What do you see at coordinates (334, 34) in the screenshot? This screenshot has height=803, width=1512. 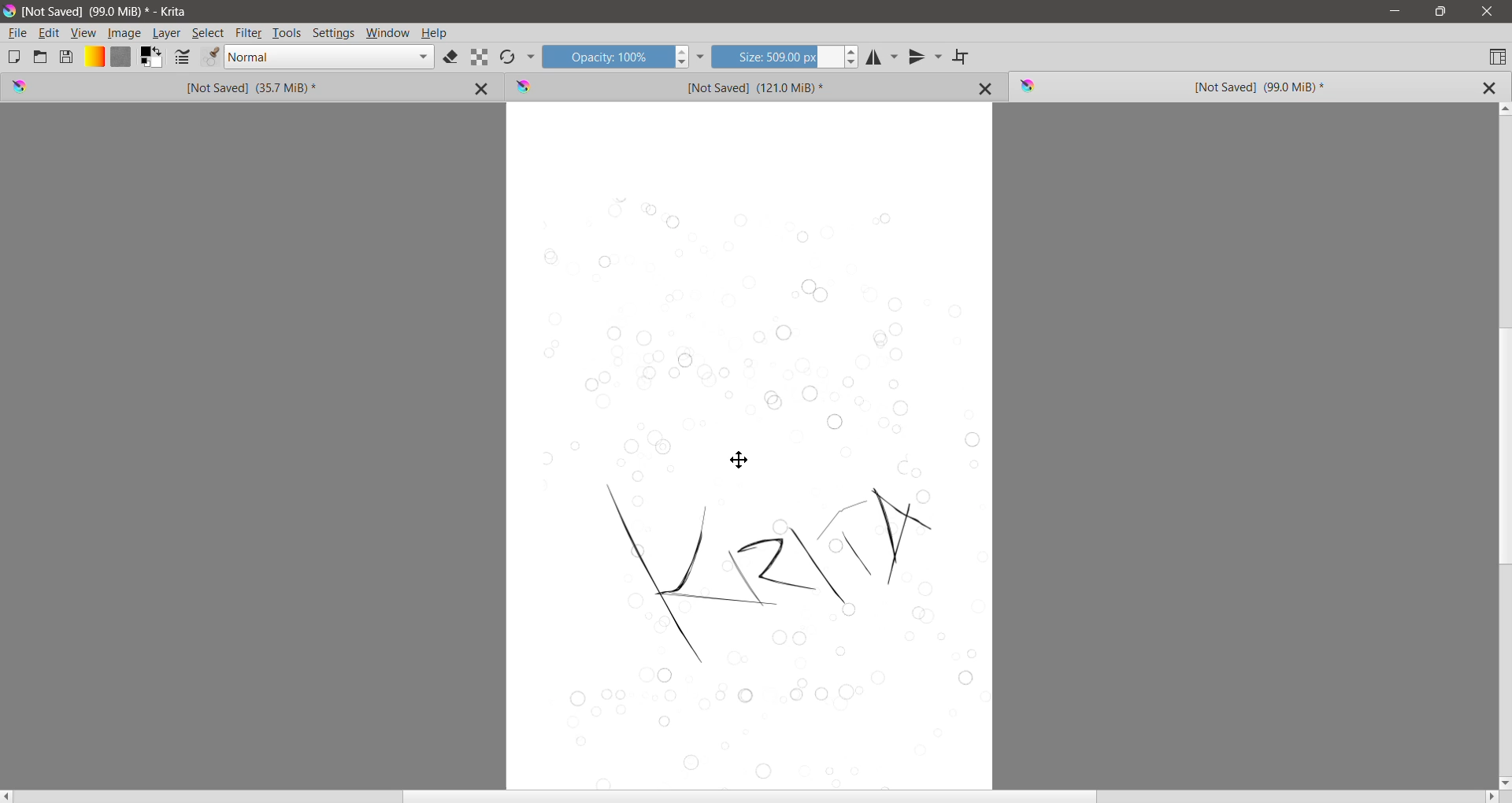 I see `Settings` at bounding box center [334, 34].